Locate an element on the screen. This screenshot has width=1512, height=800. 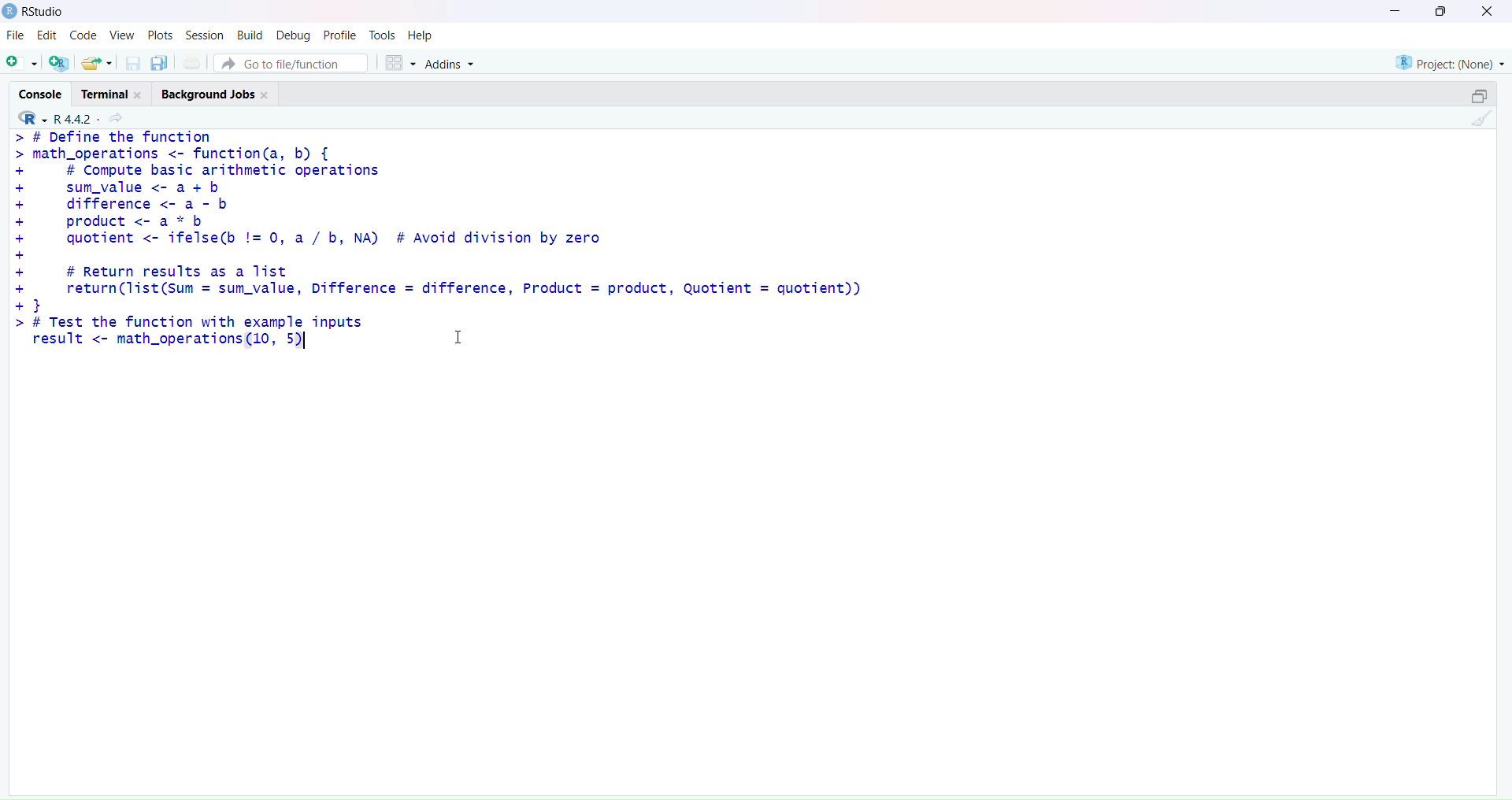
Profile is located at coordinates (339, 33).